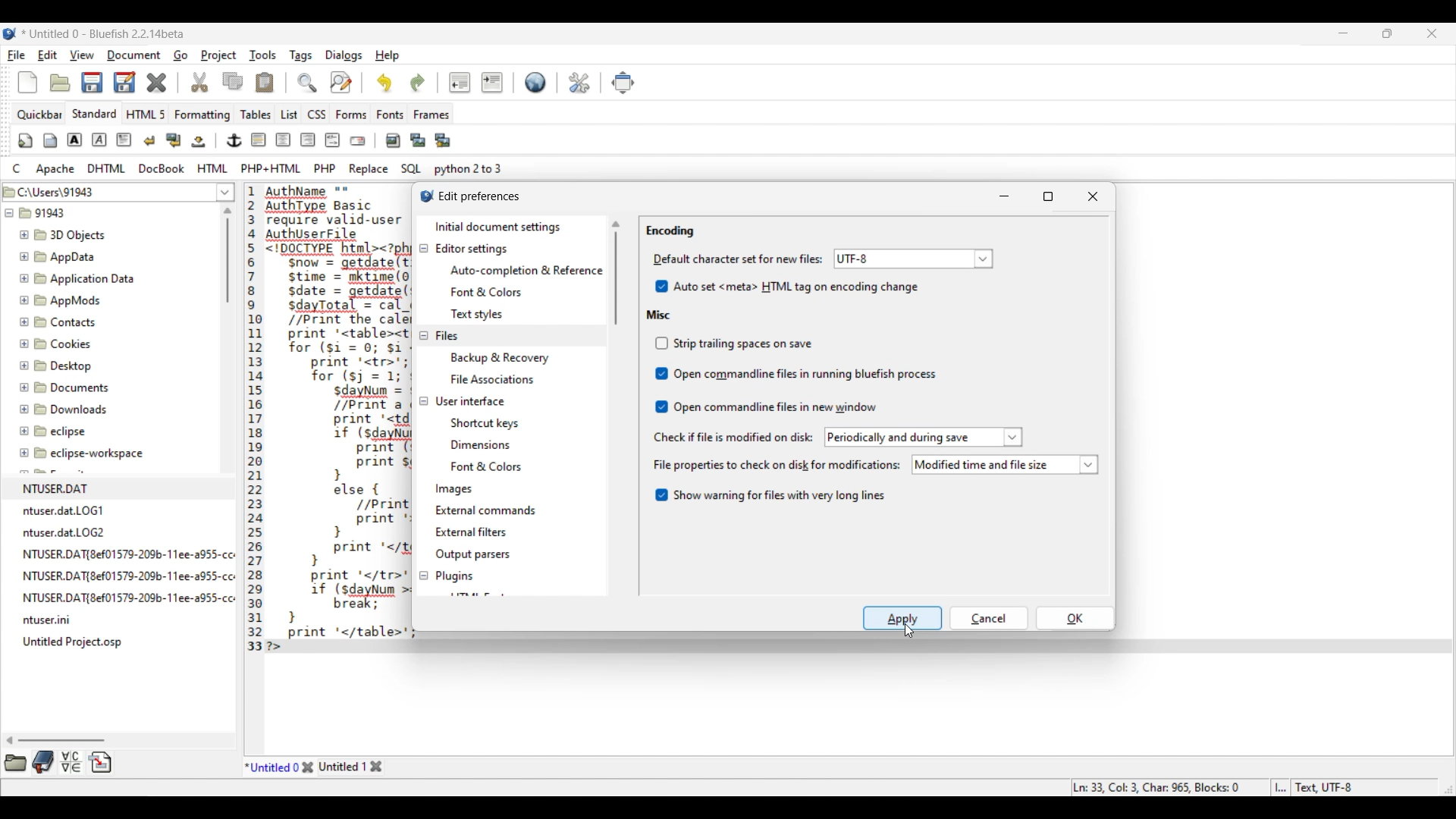  What do you see at coordinates (499, 445) in the screenshot?
I see `User interface setting options` at bounding box center [499, 445].